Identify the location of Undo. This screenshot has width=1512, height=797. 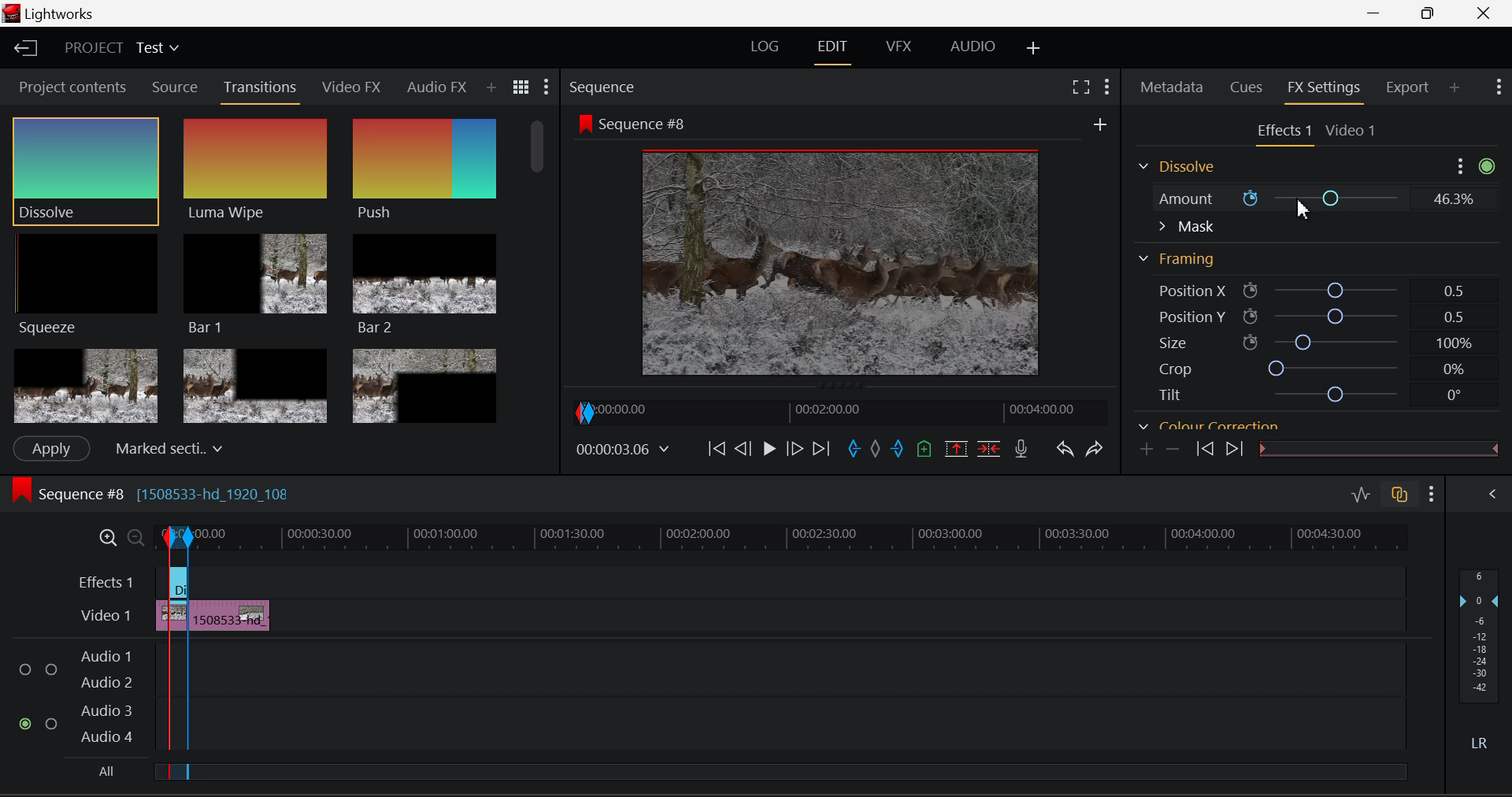
(1066, 451).